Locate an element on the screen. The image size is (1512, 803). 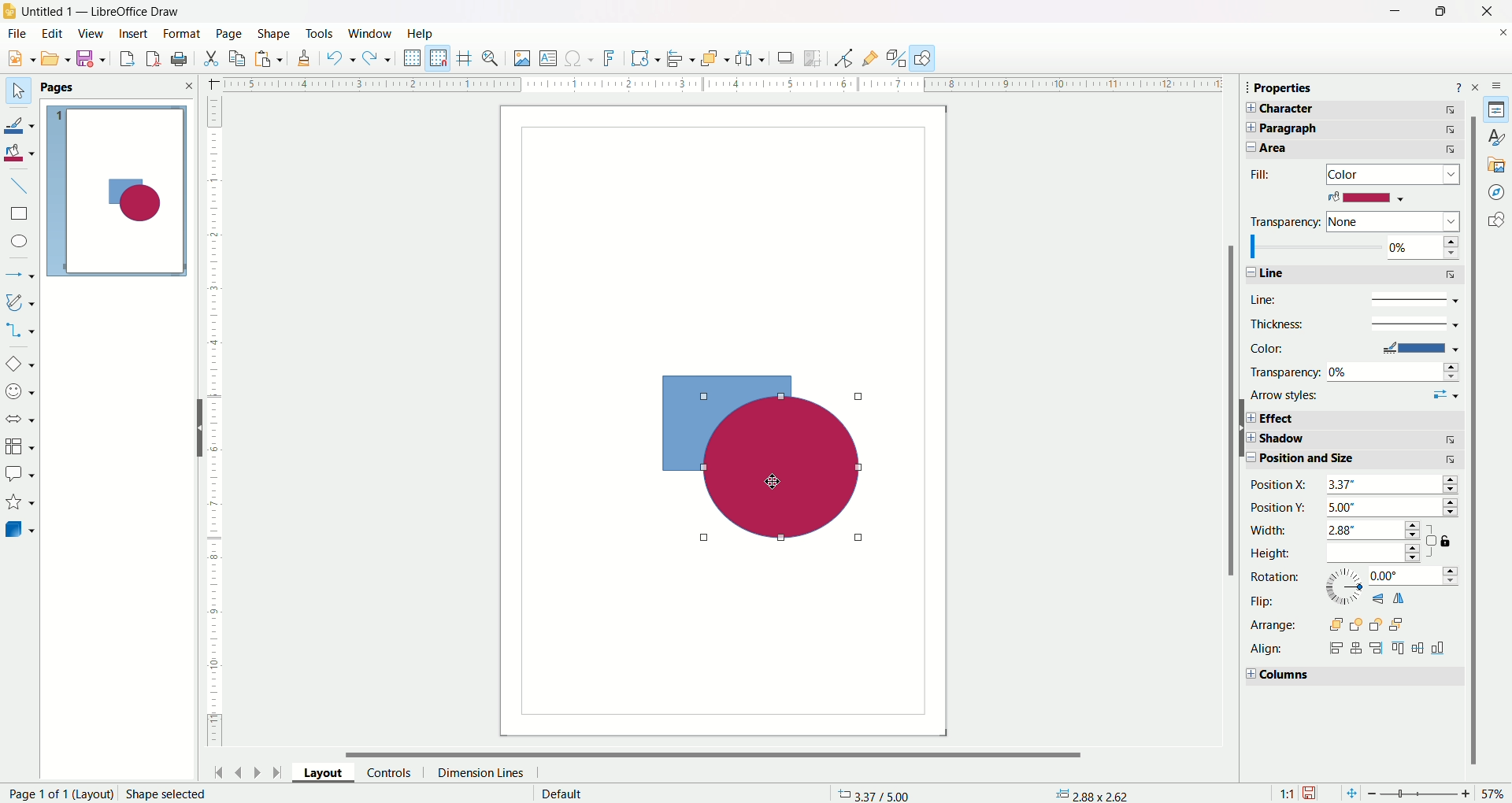
symbol shapes is located at coordinates (20, 391).